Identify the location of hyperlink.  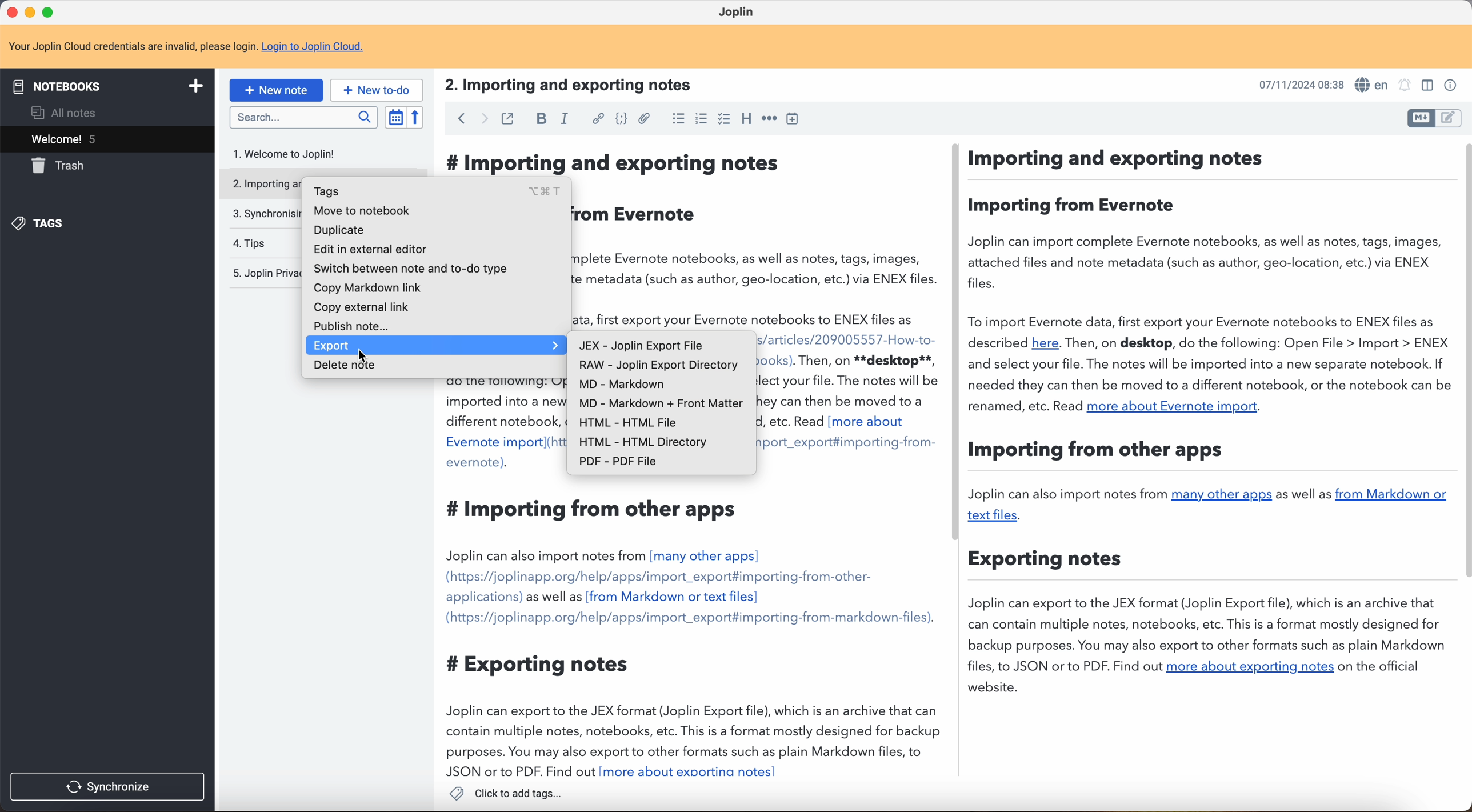
(597, 119).